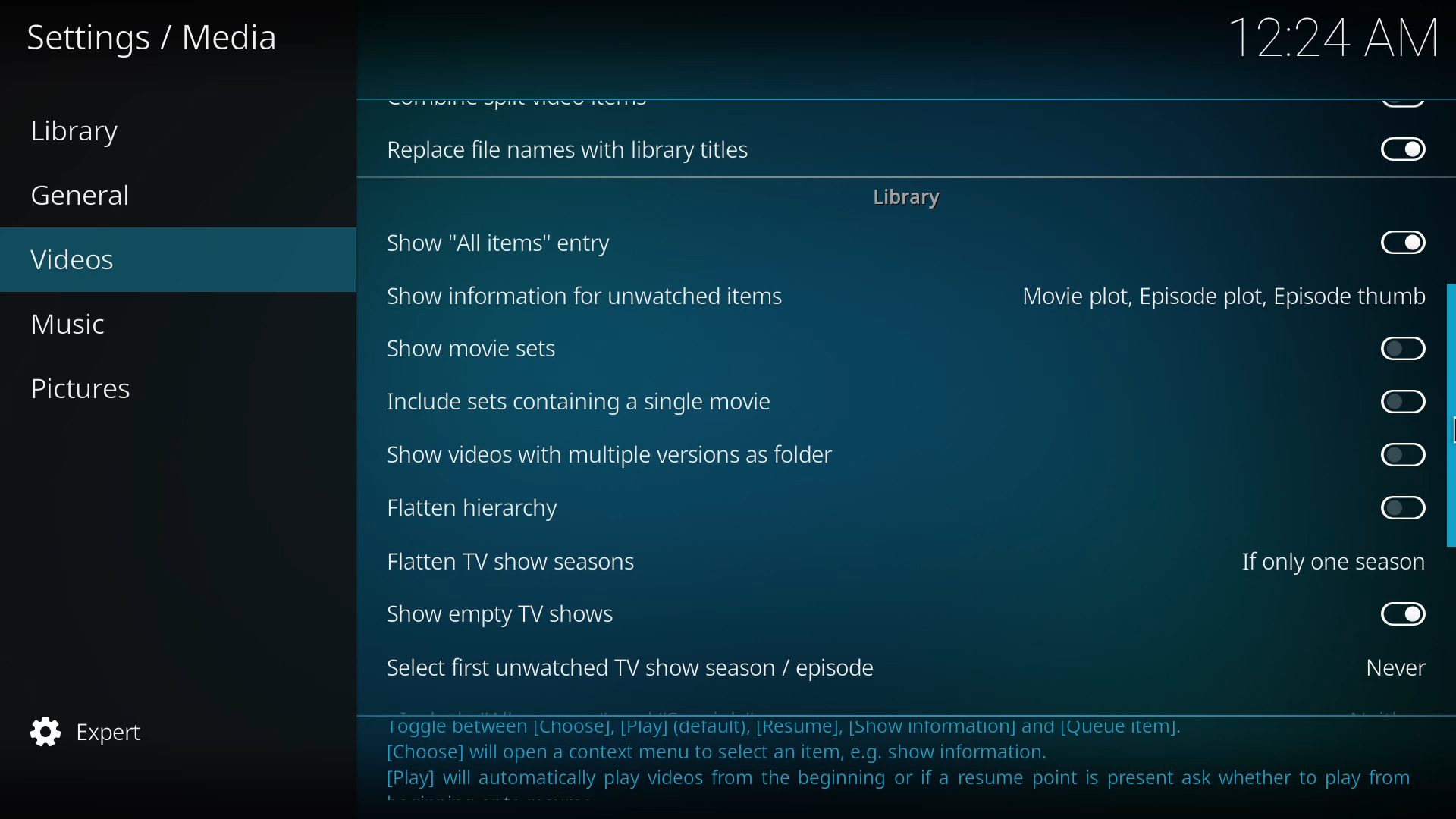 This screenshot has width=1456, height=819. I want to click on library, so click(902, 198).